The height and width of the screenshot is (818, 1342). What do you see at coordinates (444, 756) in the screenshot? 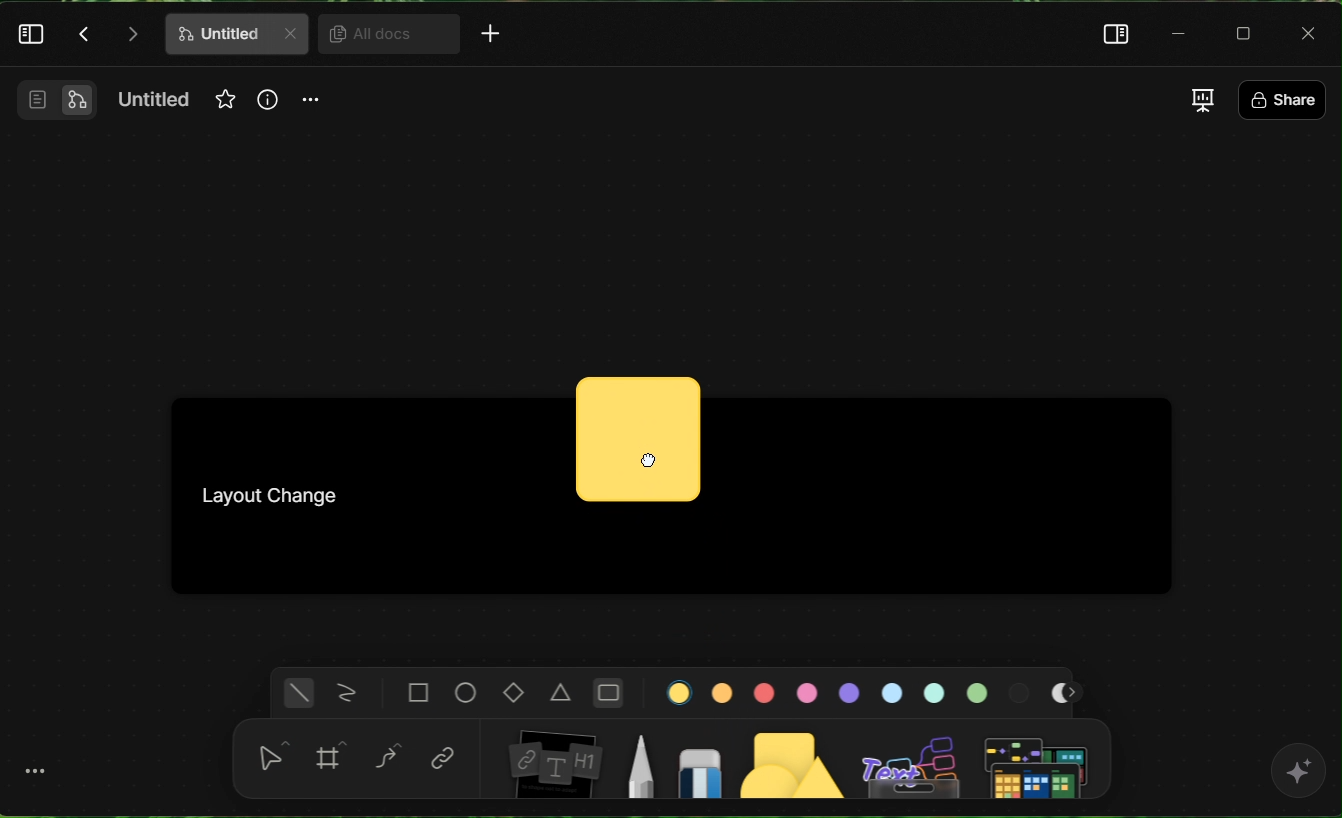
I see `link` at bounding box center [444, 756].